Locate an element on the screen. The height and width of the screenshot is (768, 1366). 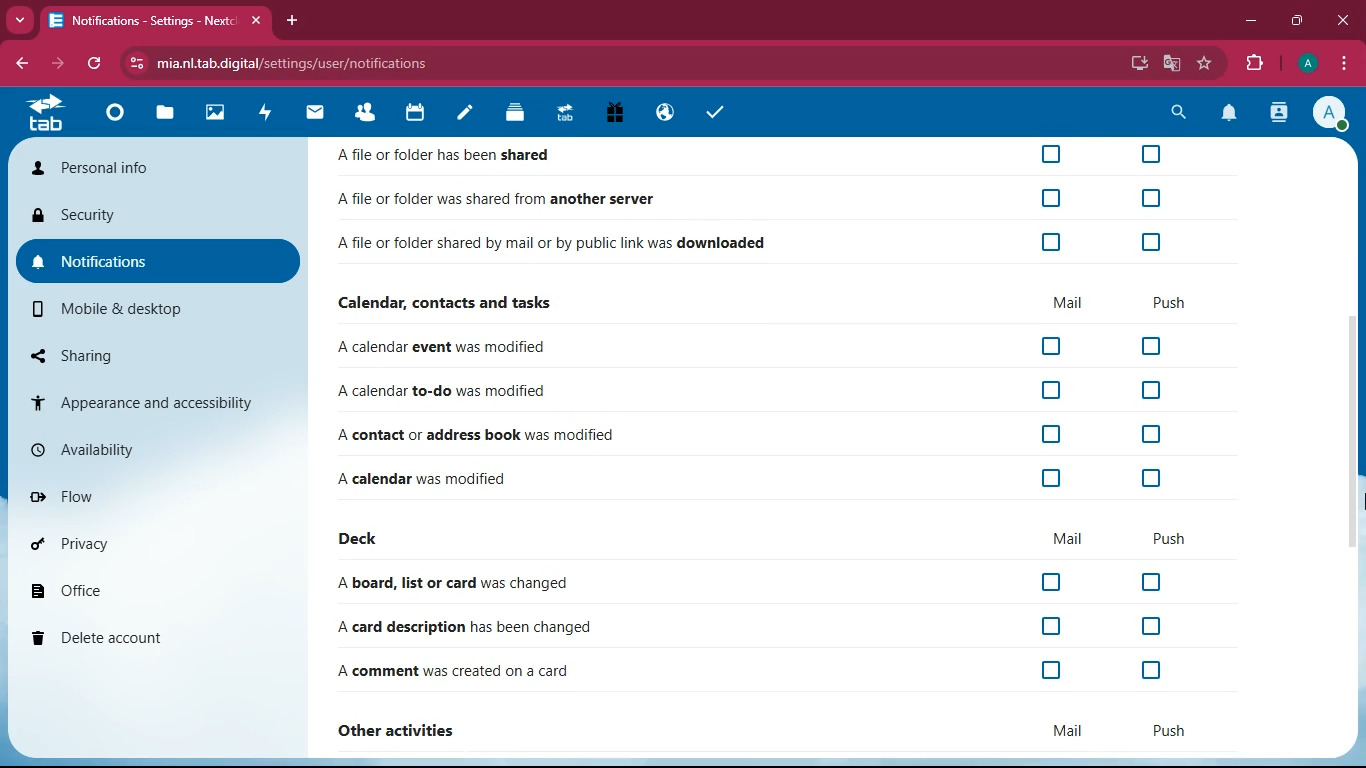
push is located at coordinates (1170, 729).